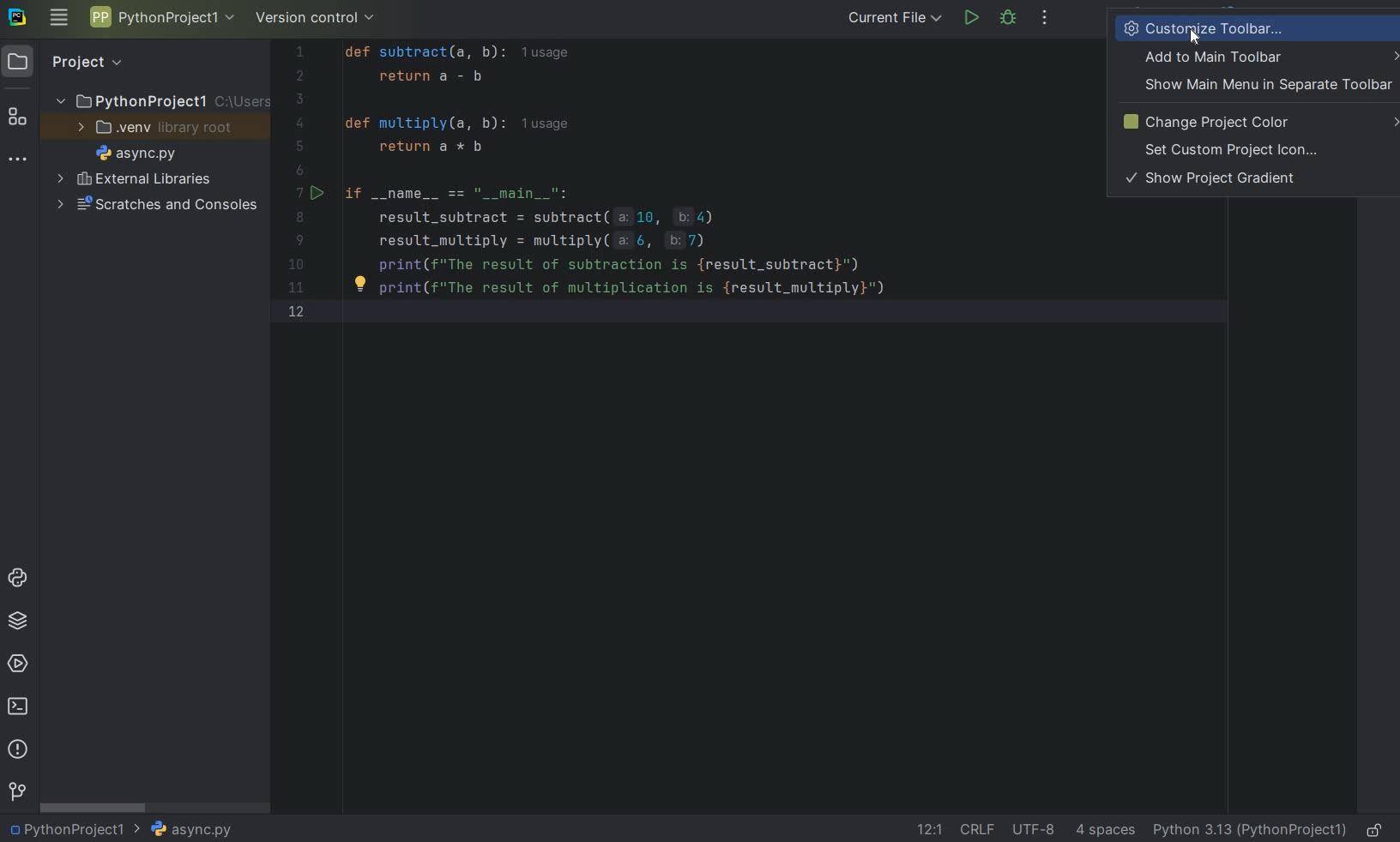 This screenshot has height=842, width=1400. Describe the element at coordinates (973, 19) in the screenshot. I see `RUN` at that location.